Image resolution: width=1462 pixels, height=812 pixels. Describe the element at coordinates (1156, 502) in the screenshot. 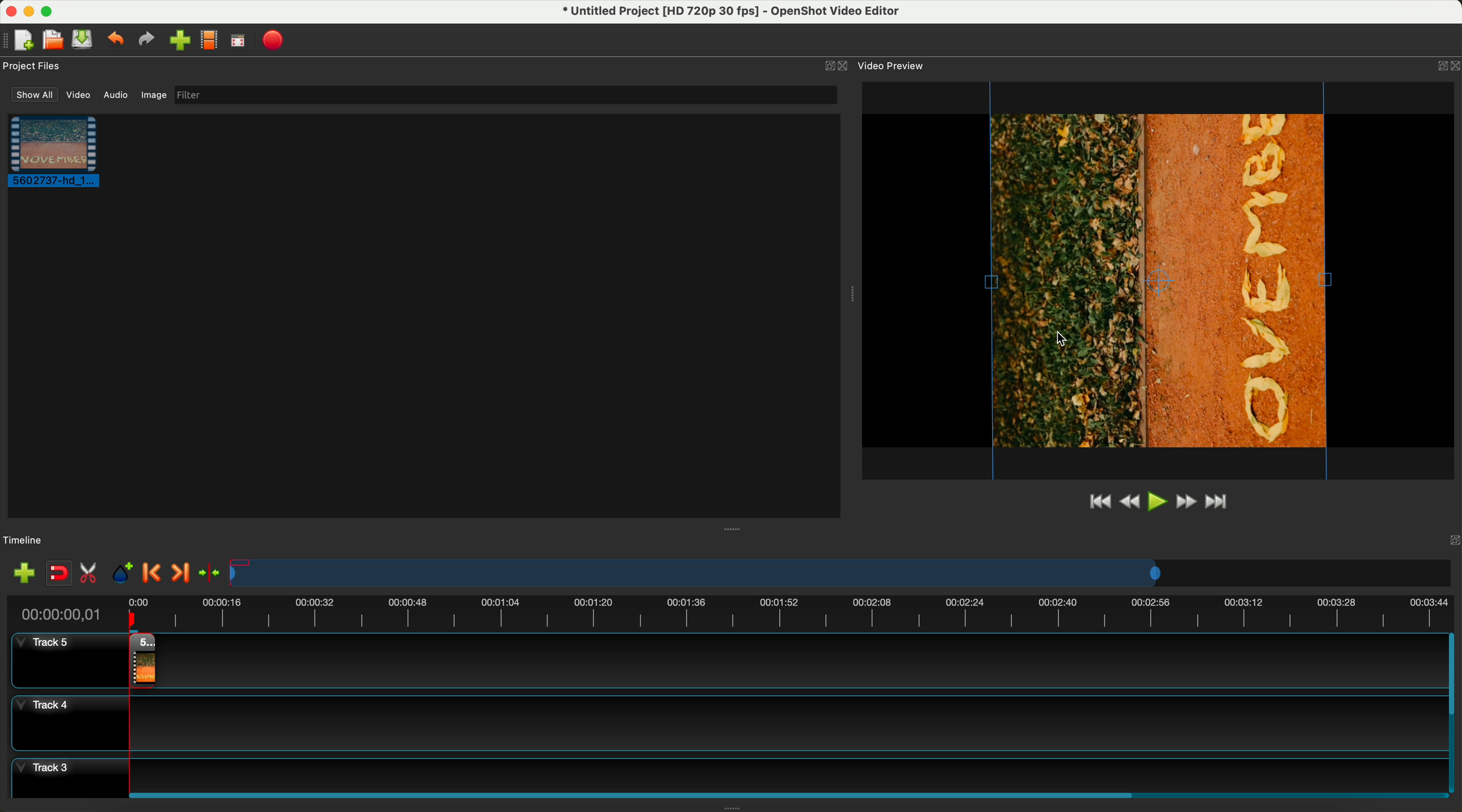

I see `play` at that location.